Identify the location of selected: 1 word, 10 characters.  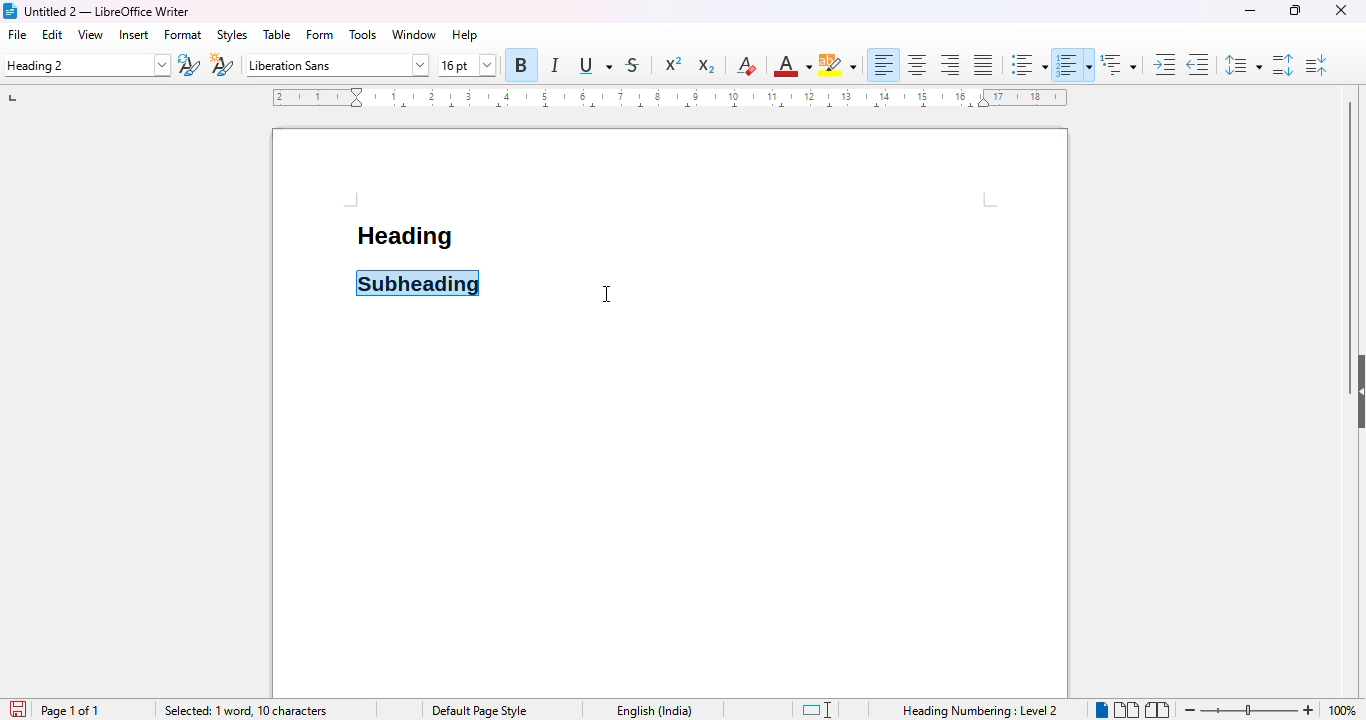
(246, 711).